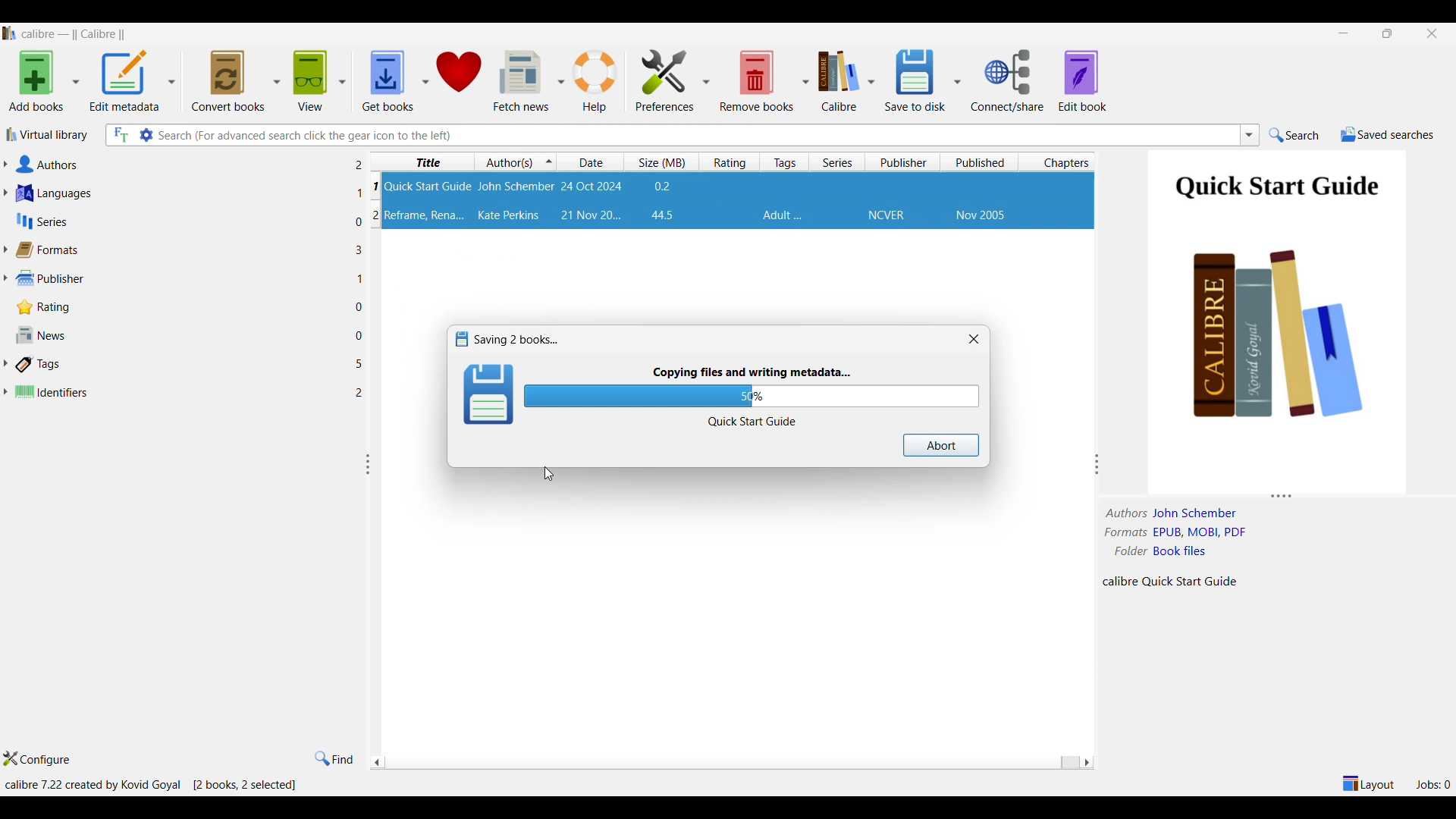 This screenshot has width=1456, height=819. I want to click on 2, so click(362, 394).